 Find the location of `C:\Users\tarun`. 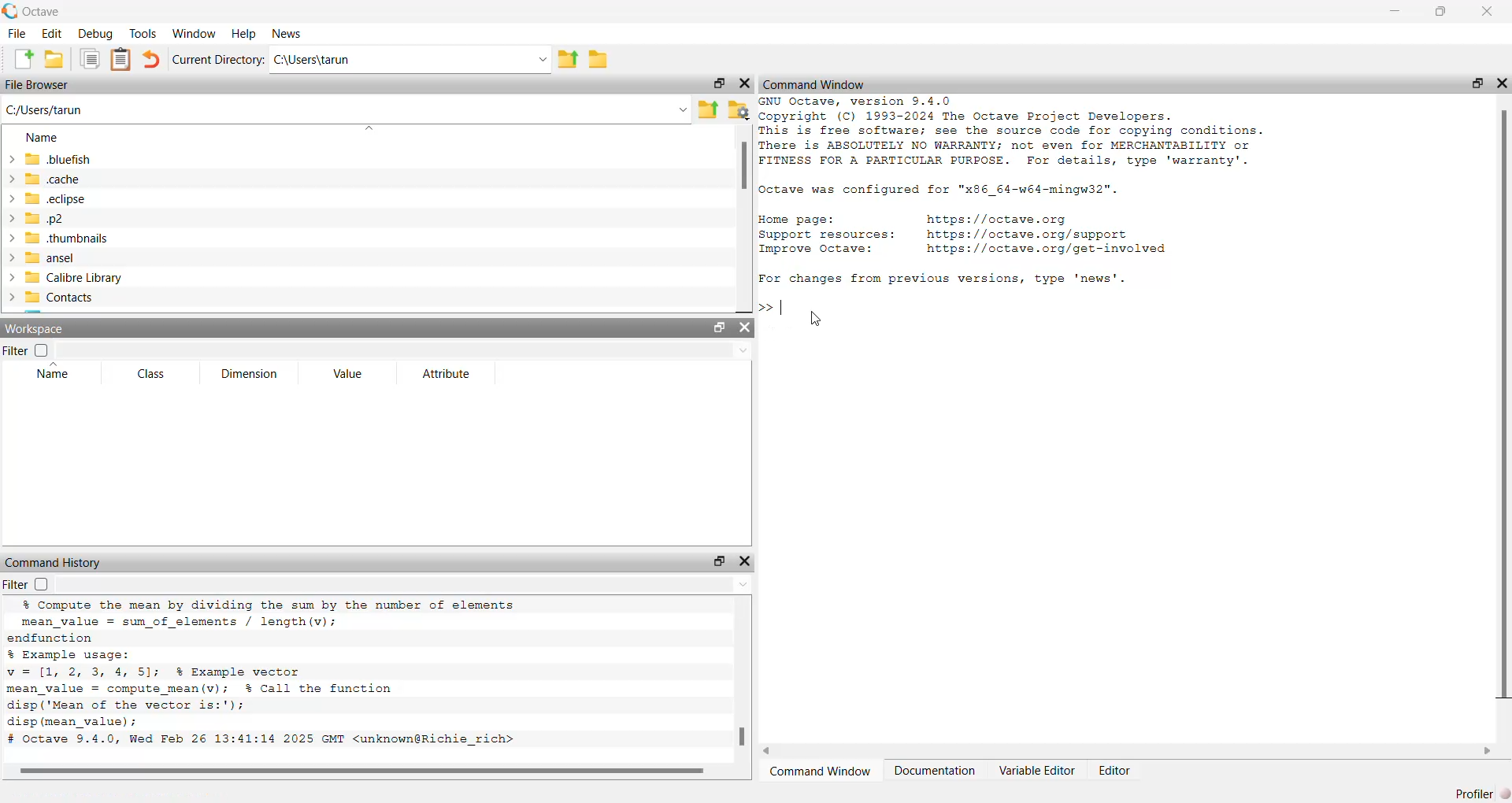

C:\Users\tarun is located at coordinates (313, 60).